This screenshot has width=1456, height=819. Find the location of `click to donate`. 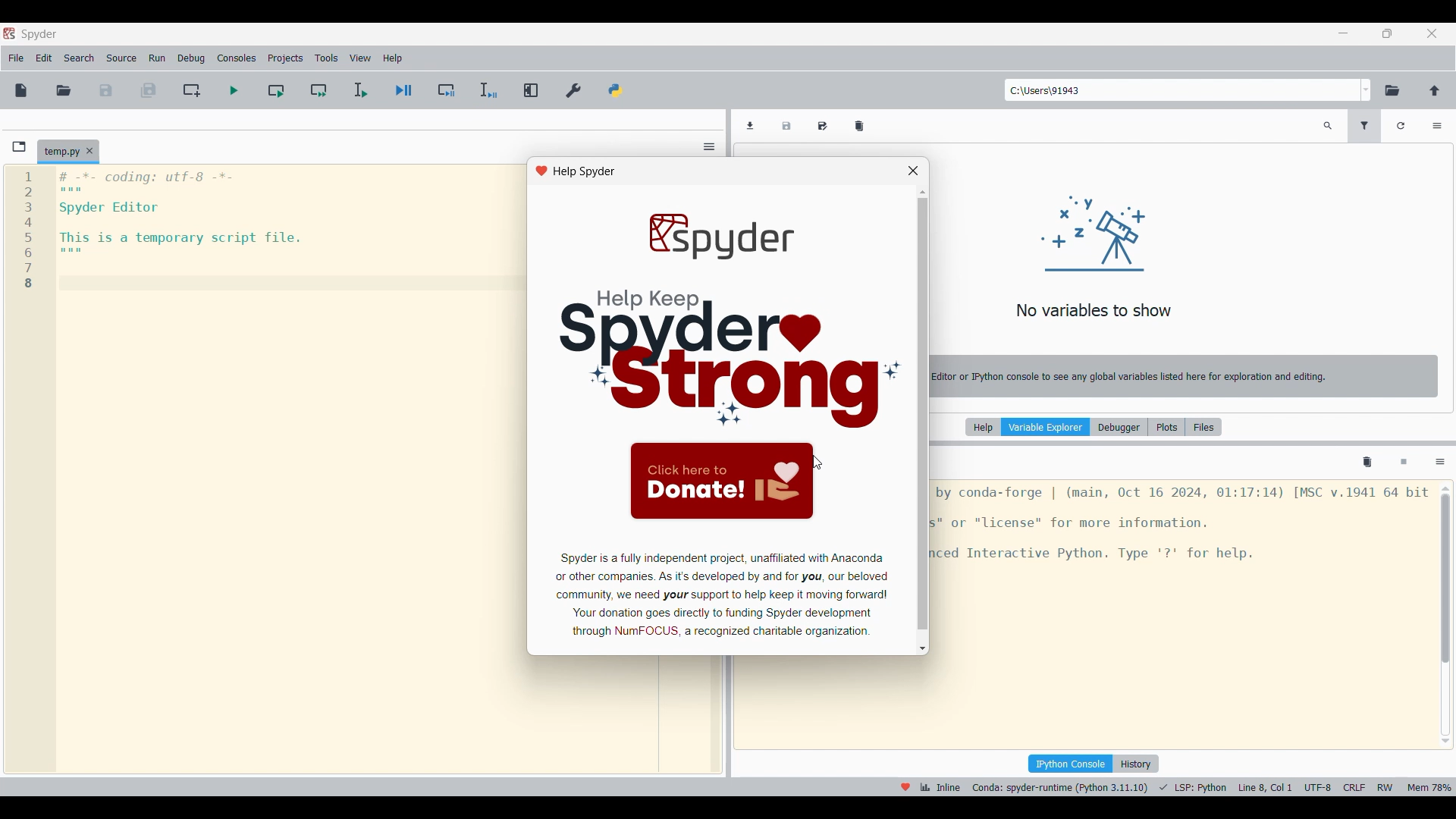

click to donate is located at coordinates (715, 482).